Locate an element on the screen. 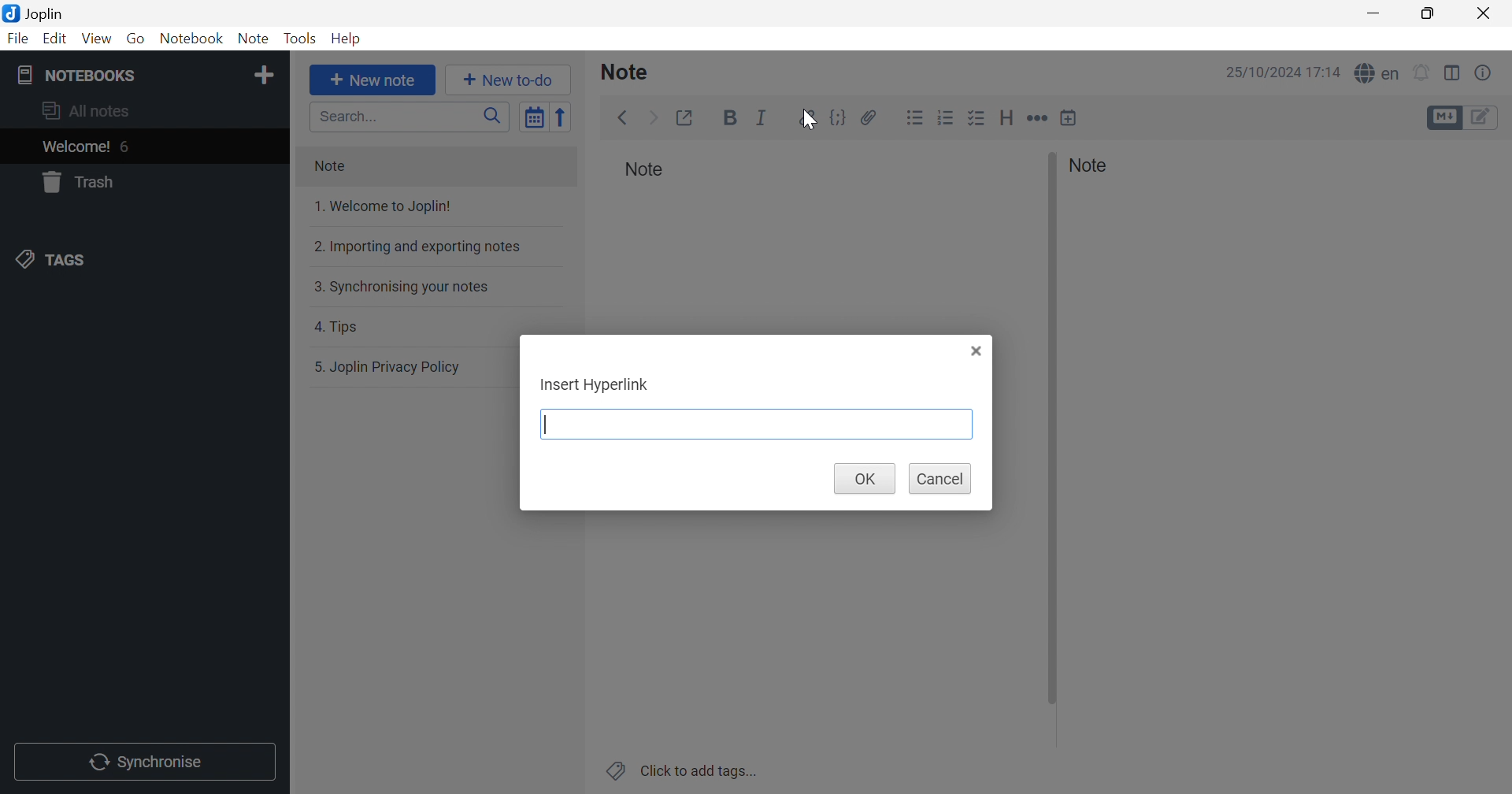 This screenshot has width=1512, height=794. Notebook is located at coordinates (192, 39).